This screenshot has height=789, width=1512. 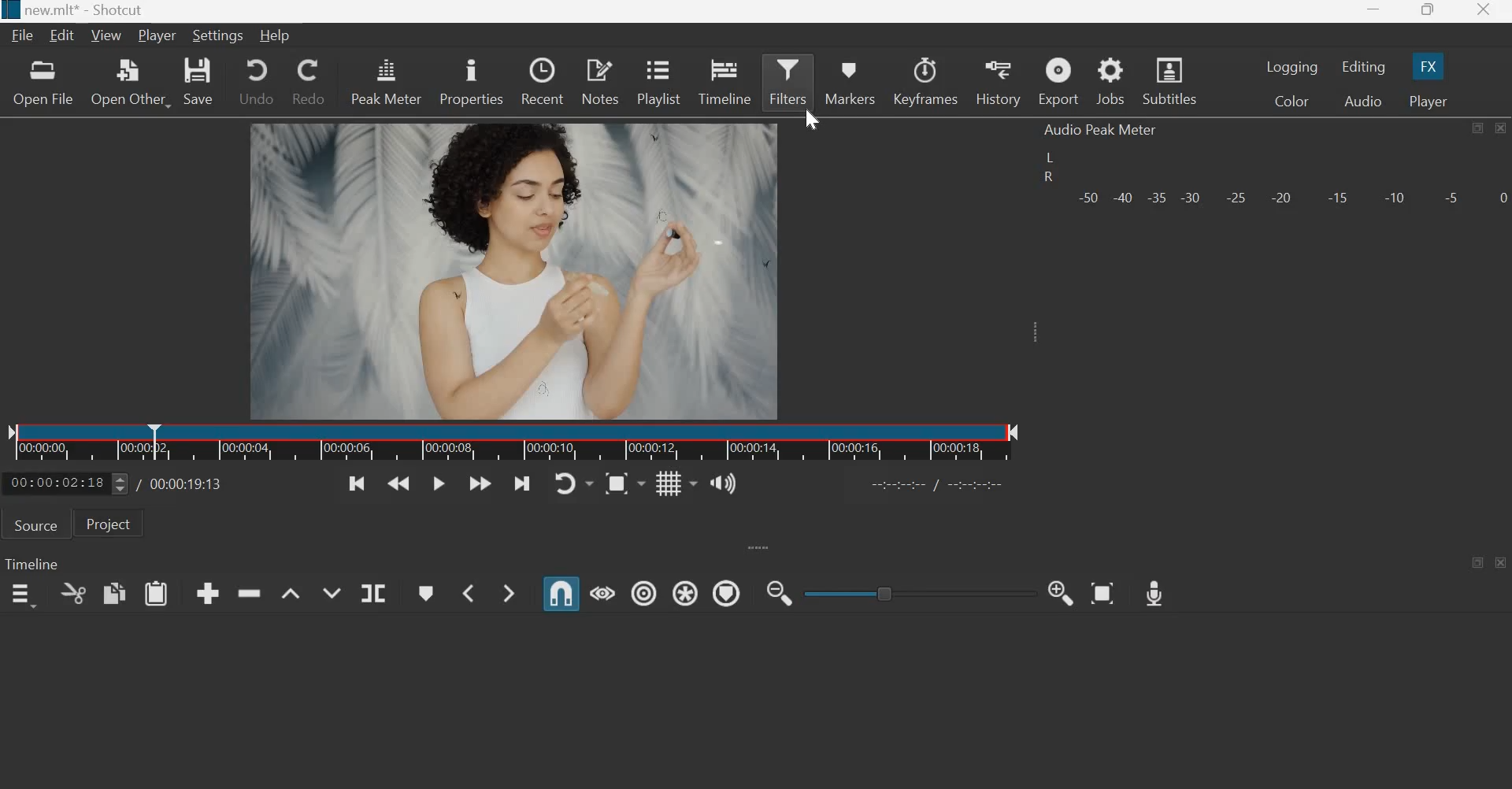 I want to click on Edit, so click(x=64, y=36).